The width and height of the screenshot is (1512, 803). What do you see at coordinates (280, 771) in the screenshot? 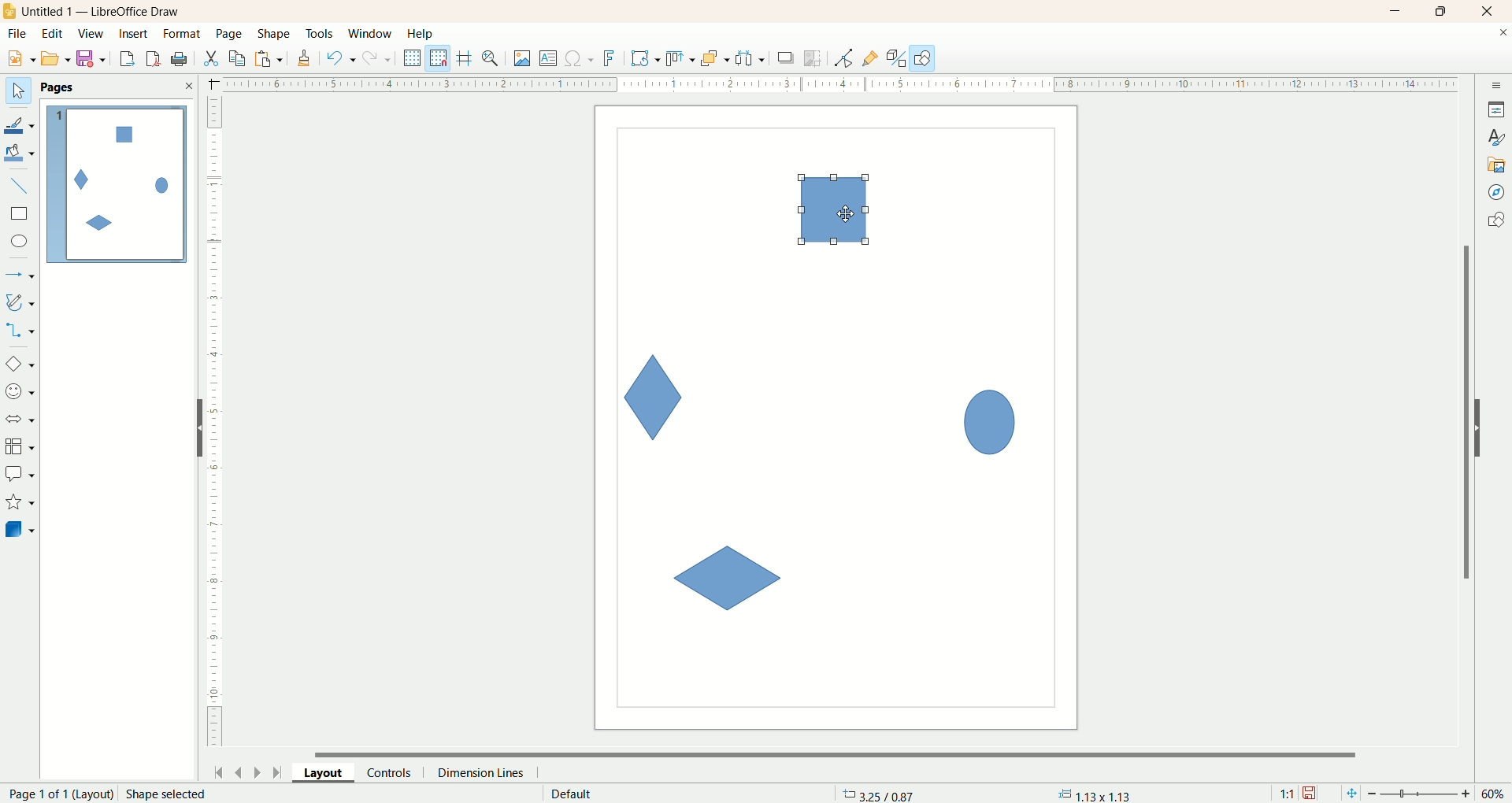
I see `last page` at bounding box center [280, 771].